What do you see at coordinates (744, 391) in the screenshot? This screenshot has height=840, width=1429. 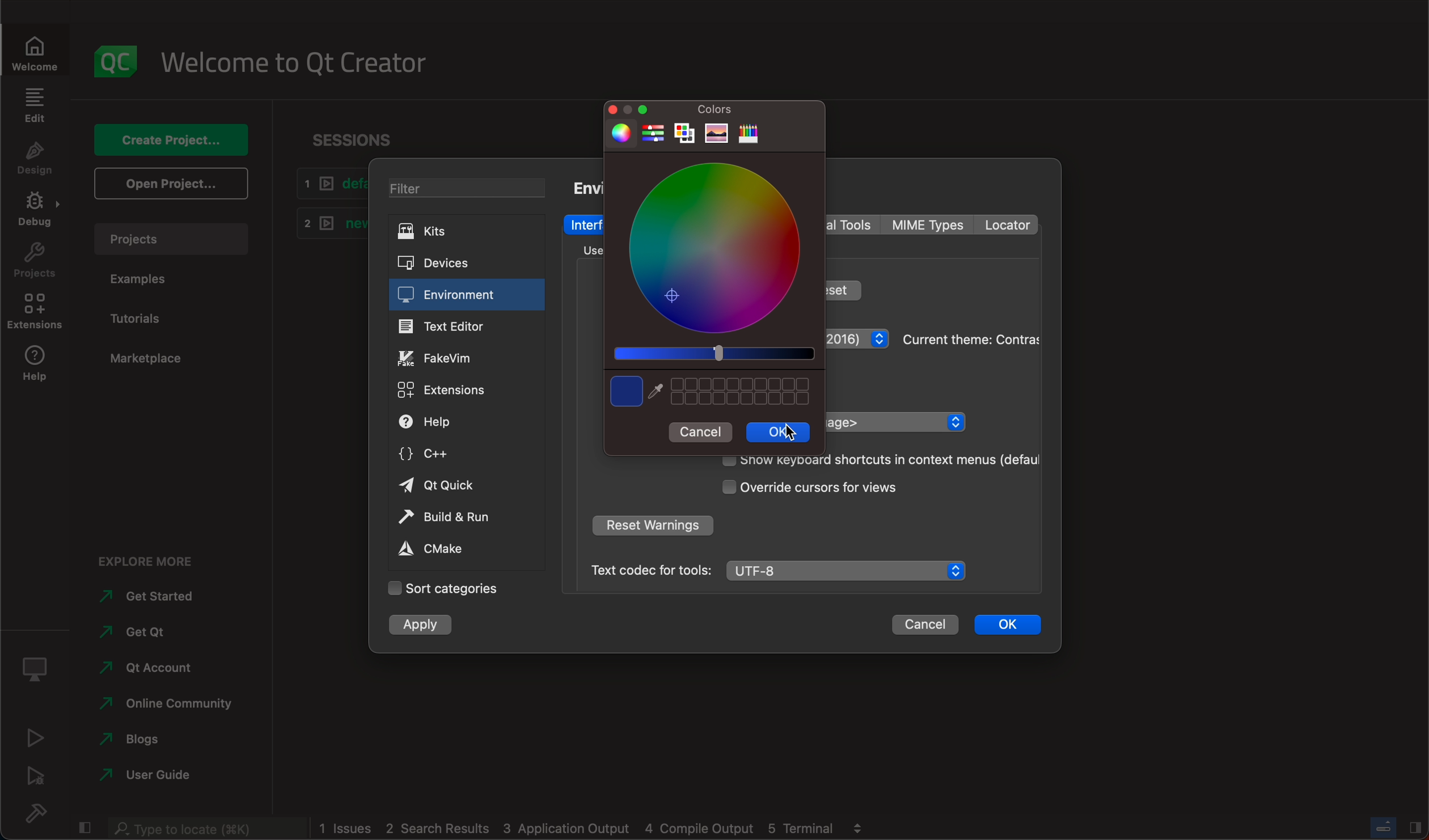 I see `chosen colors` at bounding box center [744, 391].